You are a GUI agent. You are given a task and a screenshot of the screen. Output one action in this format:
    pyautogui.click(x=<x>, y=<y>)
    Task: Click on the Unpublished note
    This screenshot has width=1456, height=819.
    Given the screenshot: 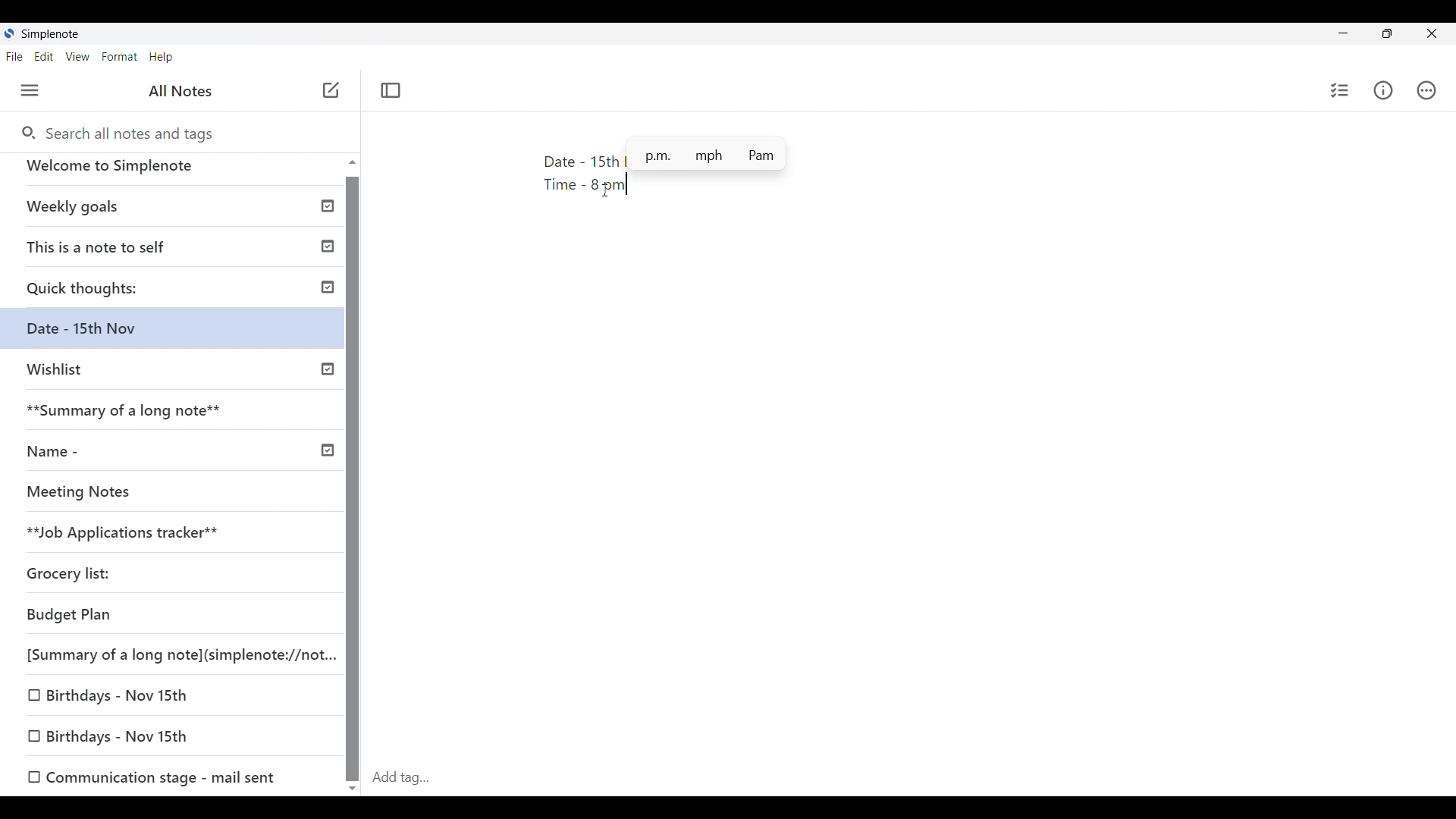 What is the action you would take?
    pyautogui.click(x=174, y=652)
    